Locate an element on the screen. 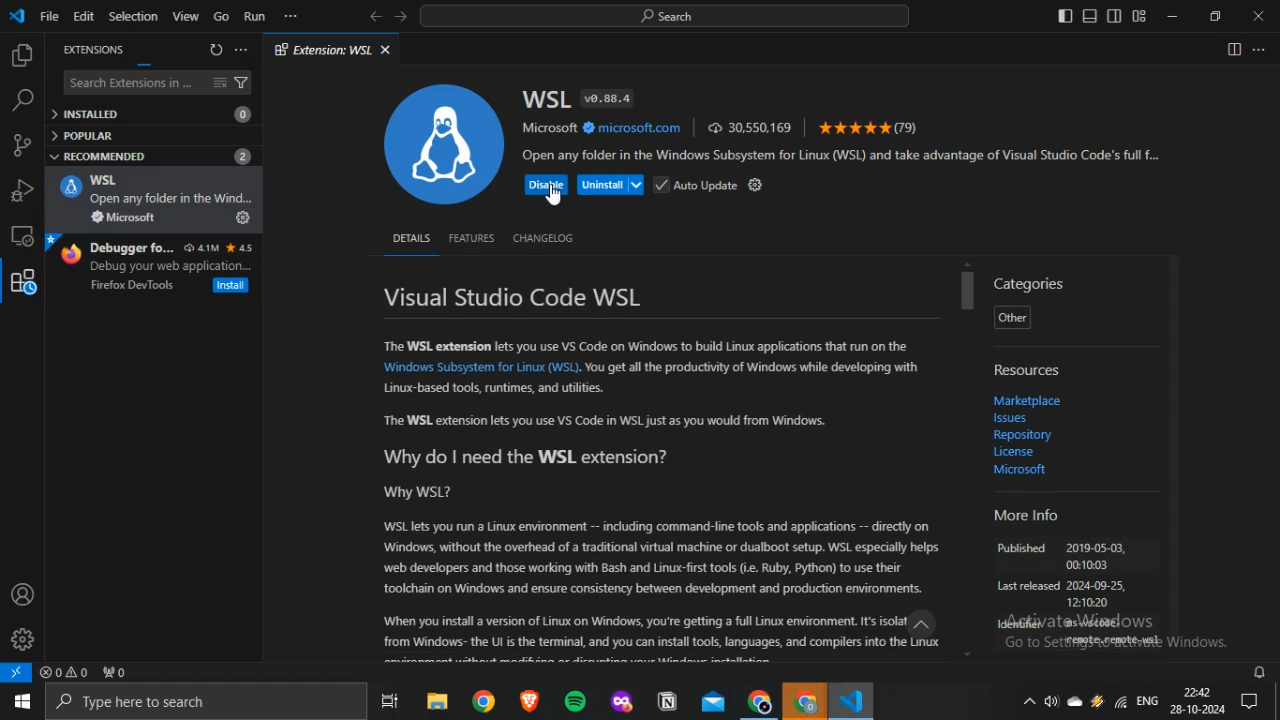 This screenshot has height=720, width=1280. filter is located at coordinates (242, 83).